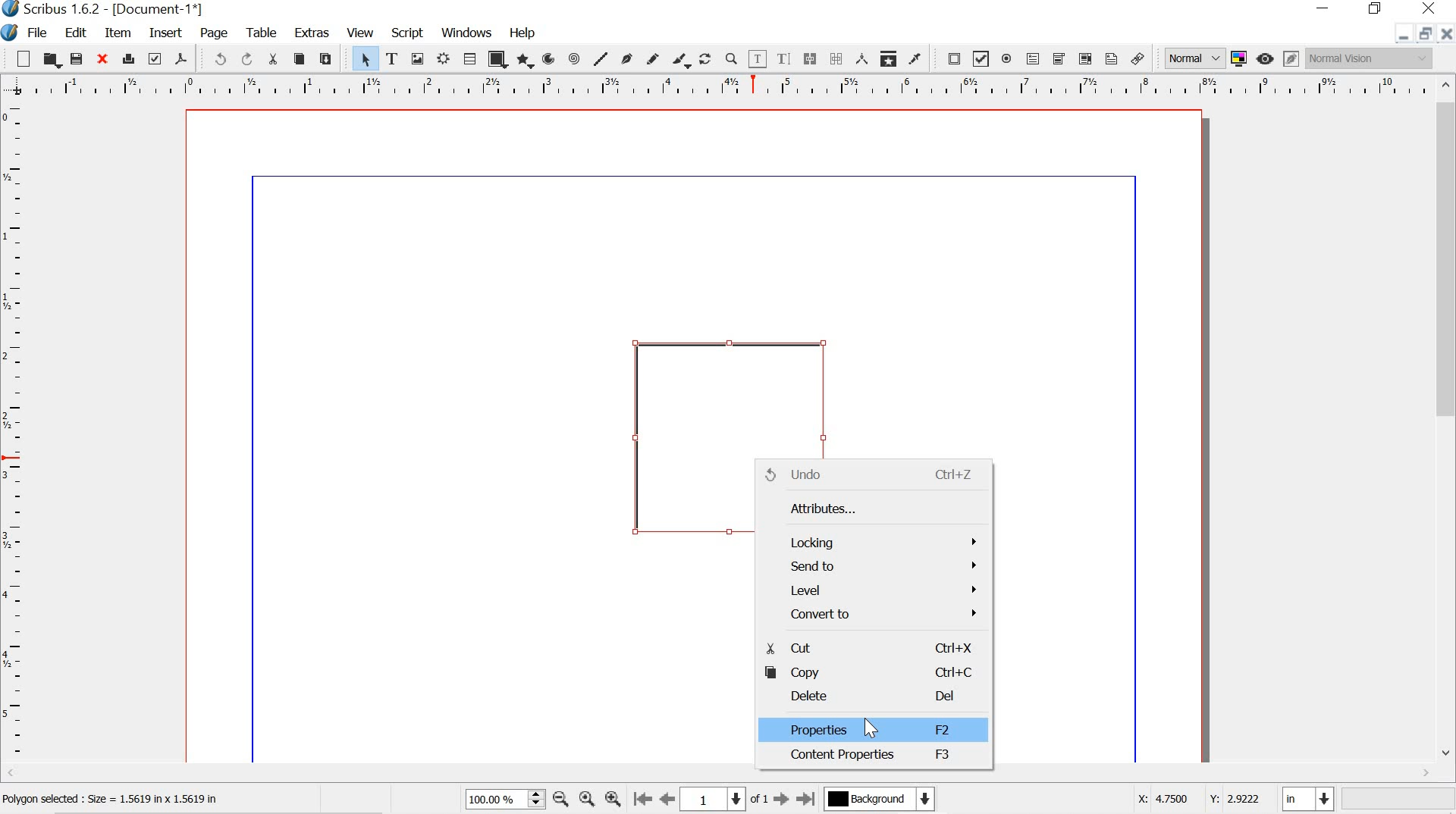  I want to click on edit in preview mode, so click(1289, 58).